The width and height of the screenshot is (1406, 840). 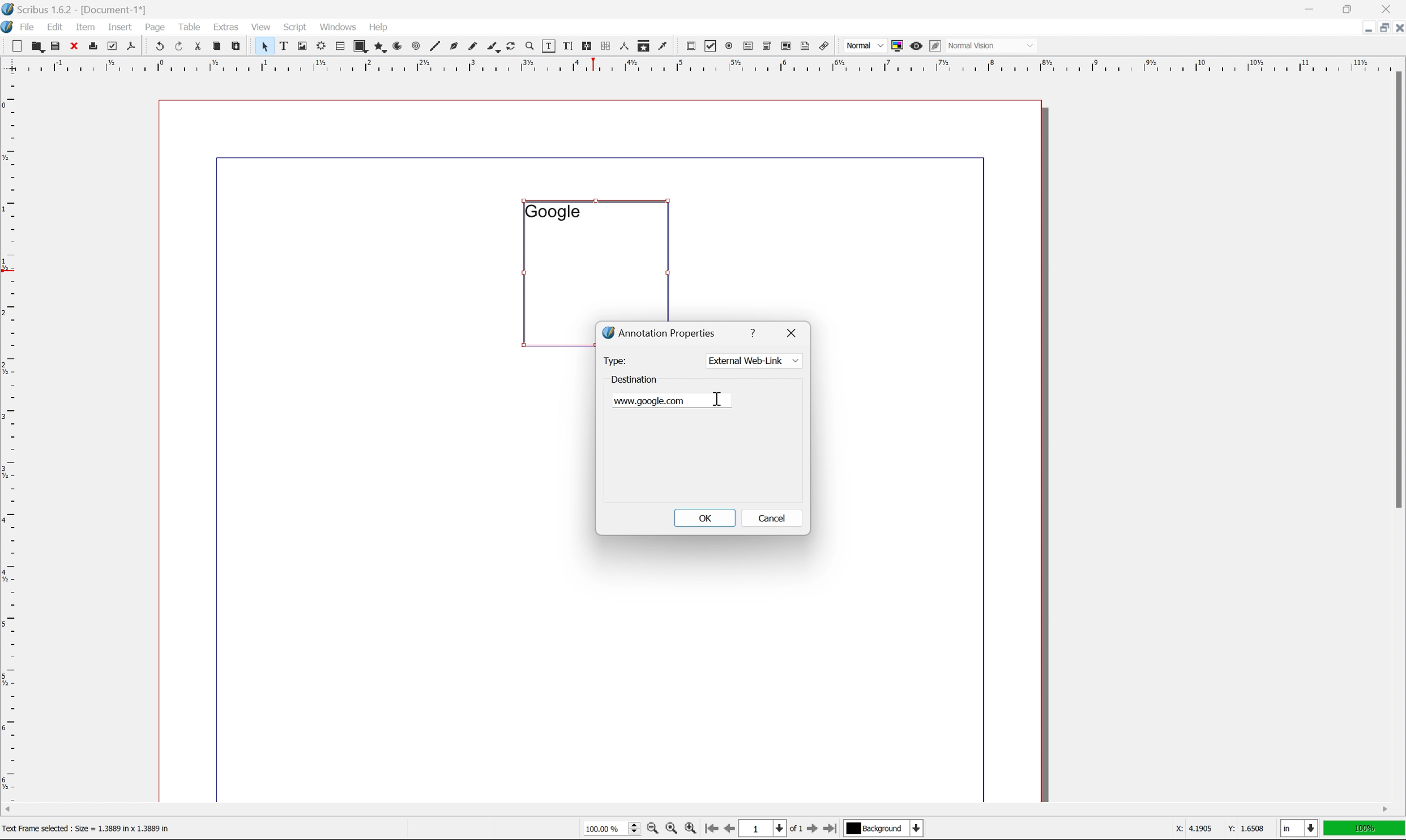 I want to click on www.google.com, so click(x=656, y=400).